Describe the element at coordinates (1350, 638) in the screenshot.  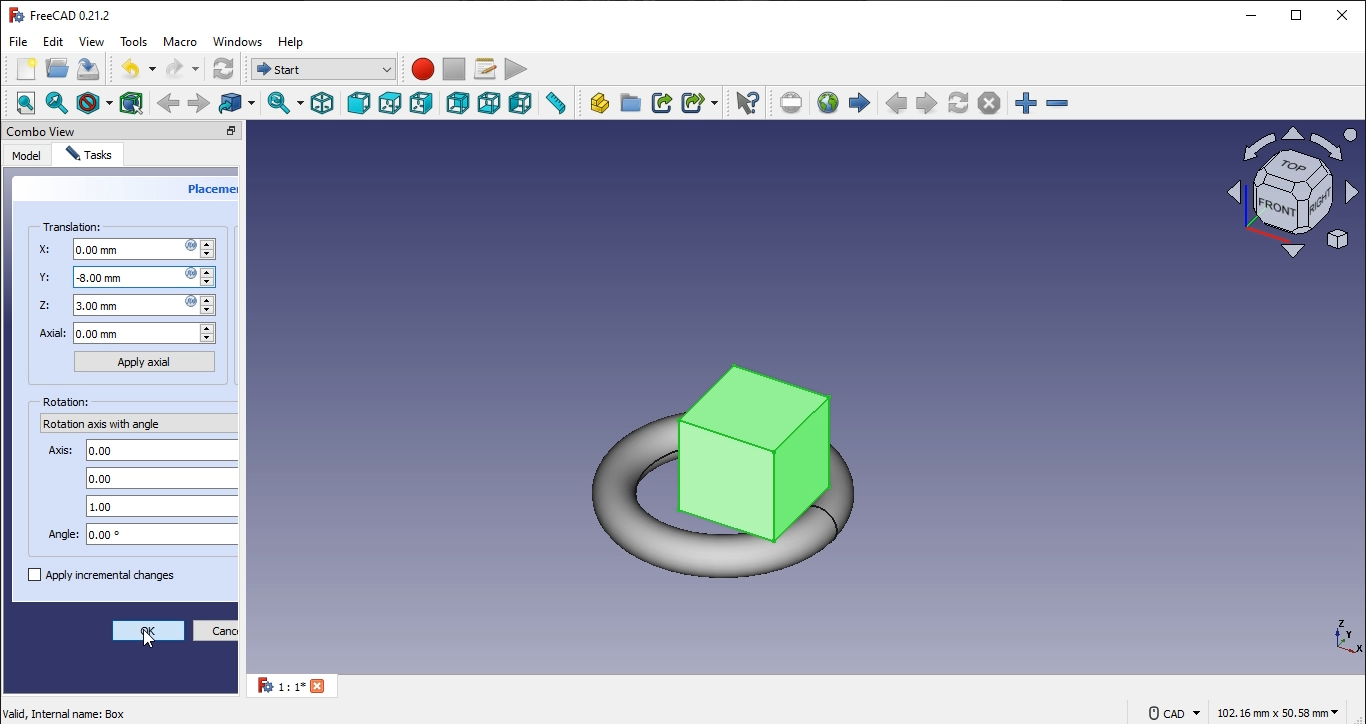
I see `coordinate directional axis icon` at that location.